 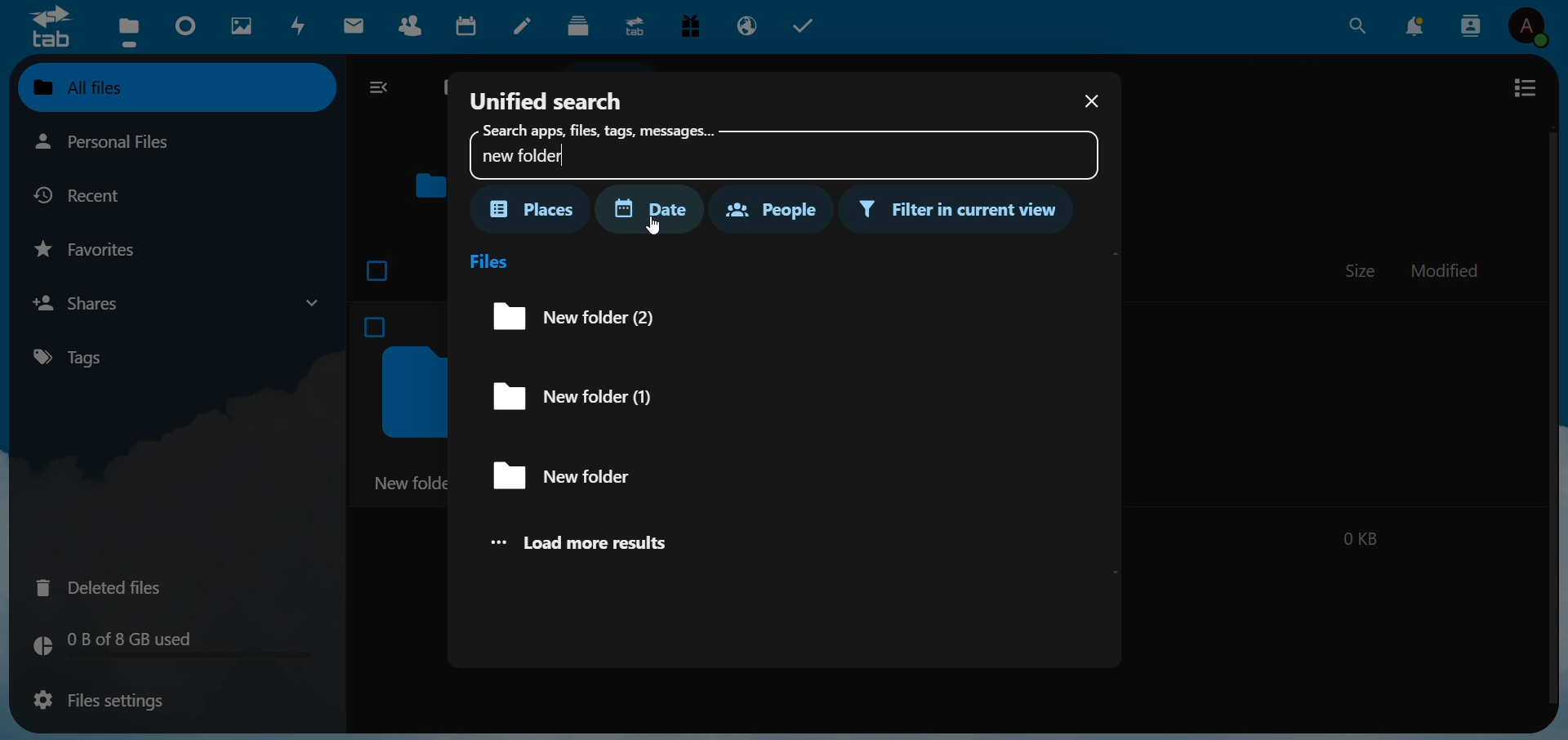 What do you see at coordinates (82, 357) in the screenshot?
I see `tags` at bounding box center [82, 357].